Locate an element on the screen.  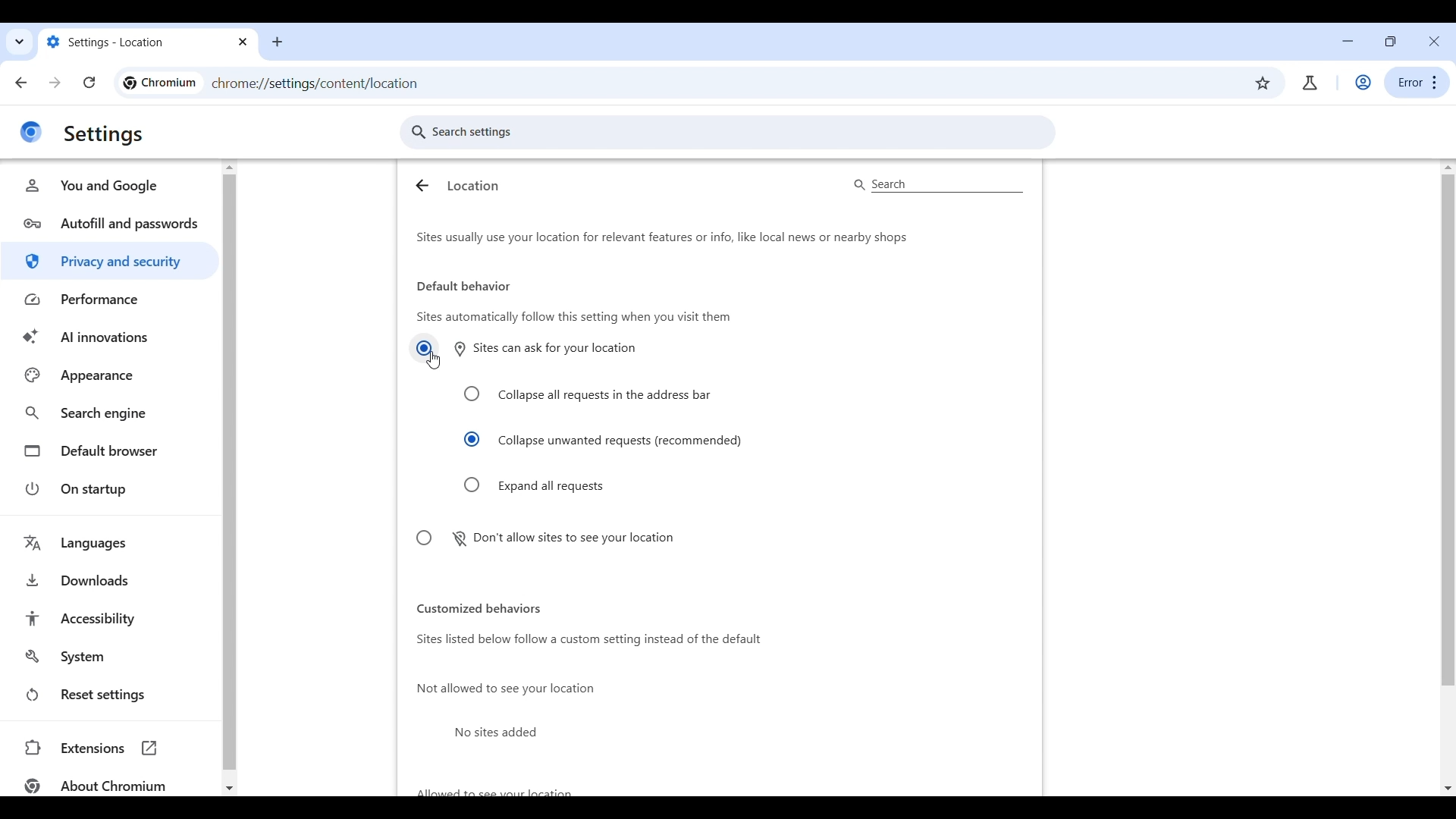
Performance is located at coordinates (109, 300).